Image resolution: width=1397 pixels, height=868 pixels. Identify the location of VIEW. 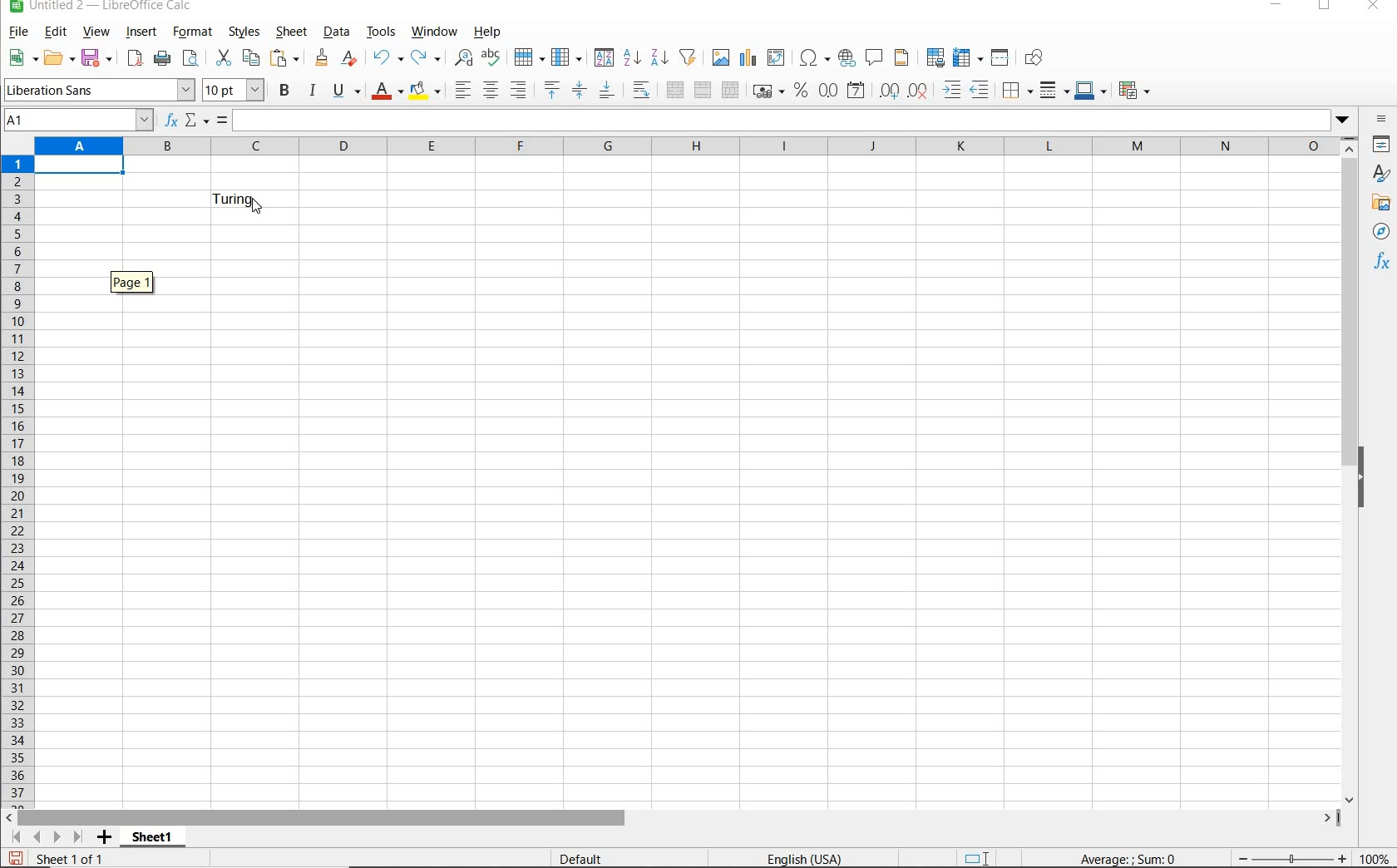
(98, 32).